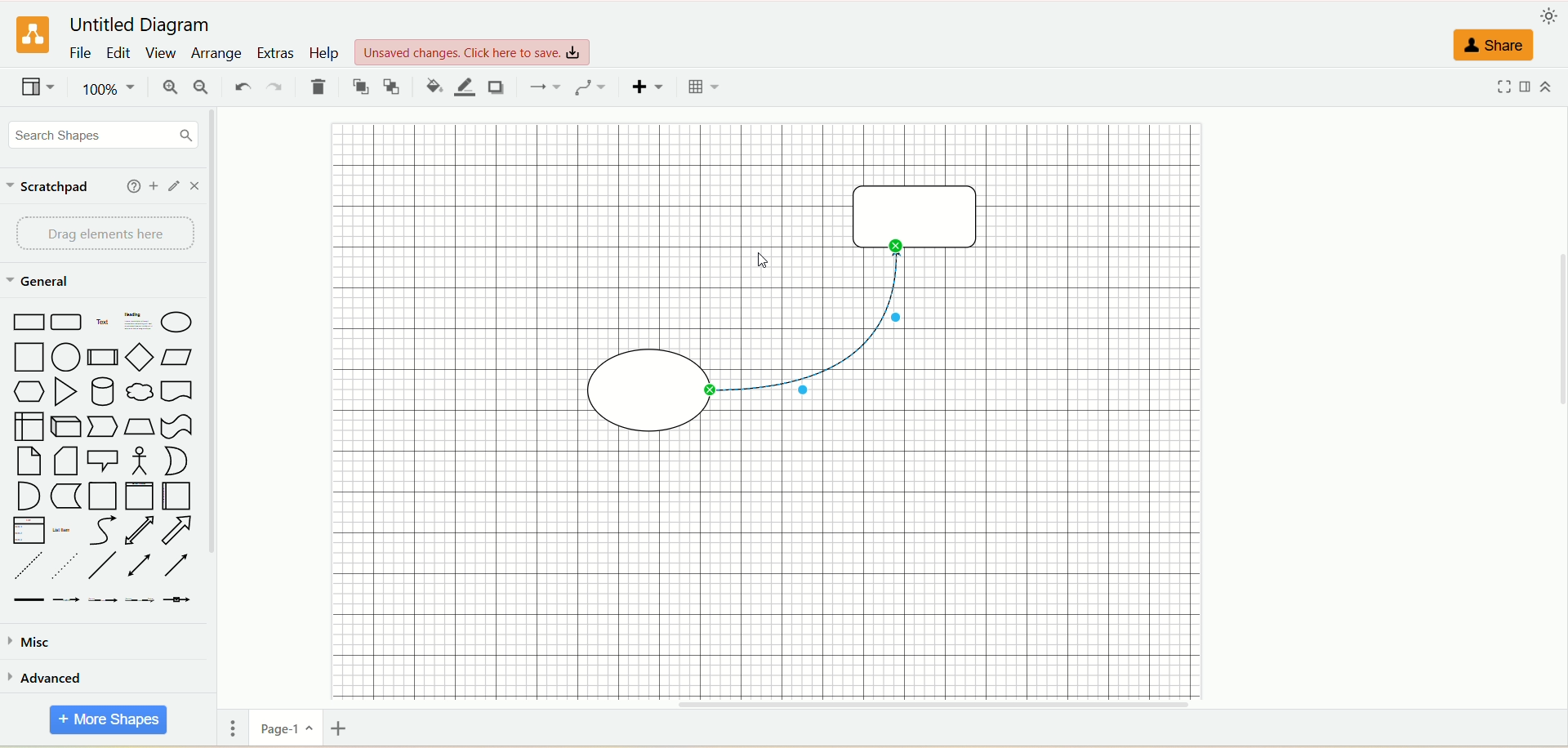 This screenshot has height=748, width=1568. I want to click on drag element here, so click(100, 234).